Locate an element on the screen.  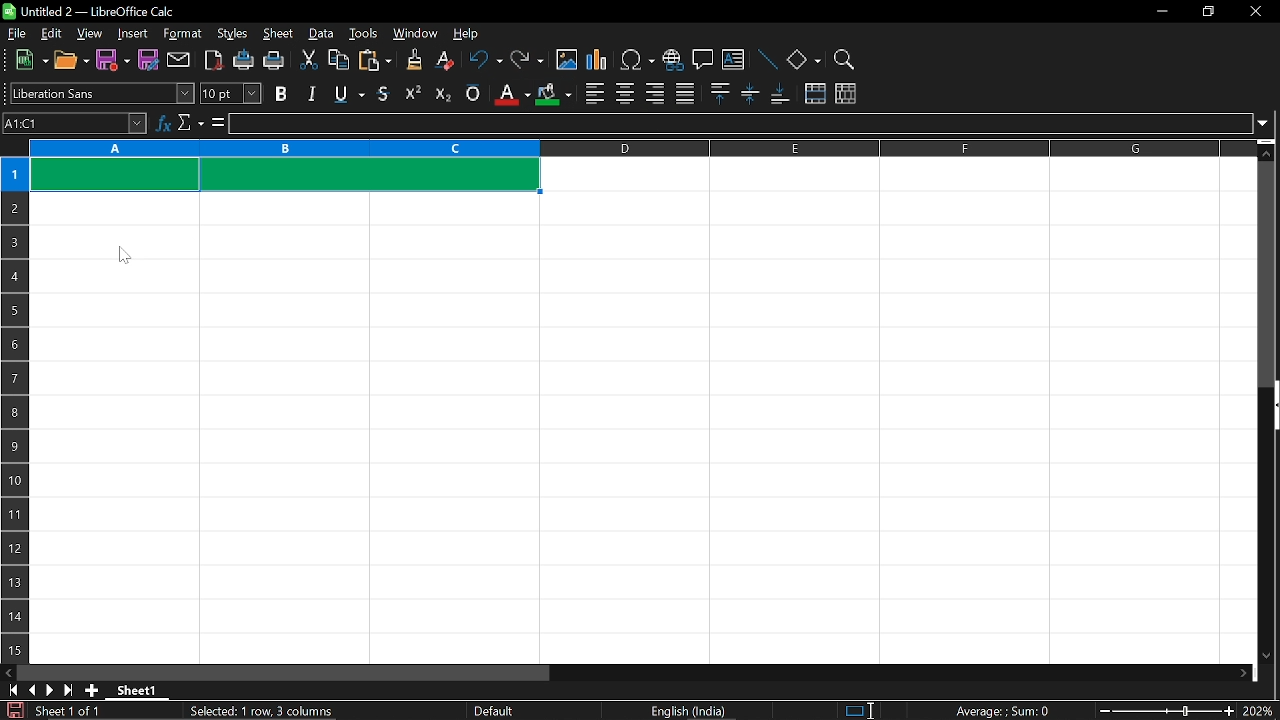
align top is located at coordinates (719, 94).